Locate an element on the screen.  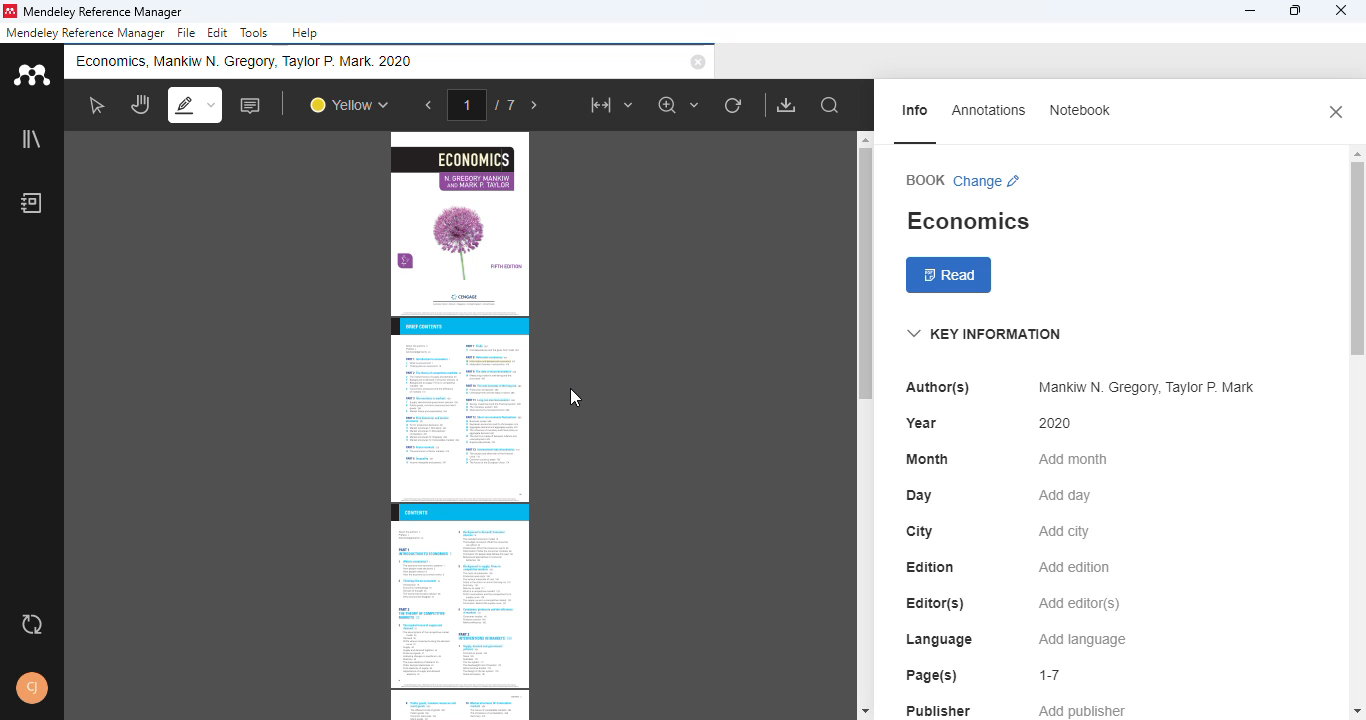
notebook is located at coordinates (31, 202).